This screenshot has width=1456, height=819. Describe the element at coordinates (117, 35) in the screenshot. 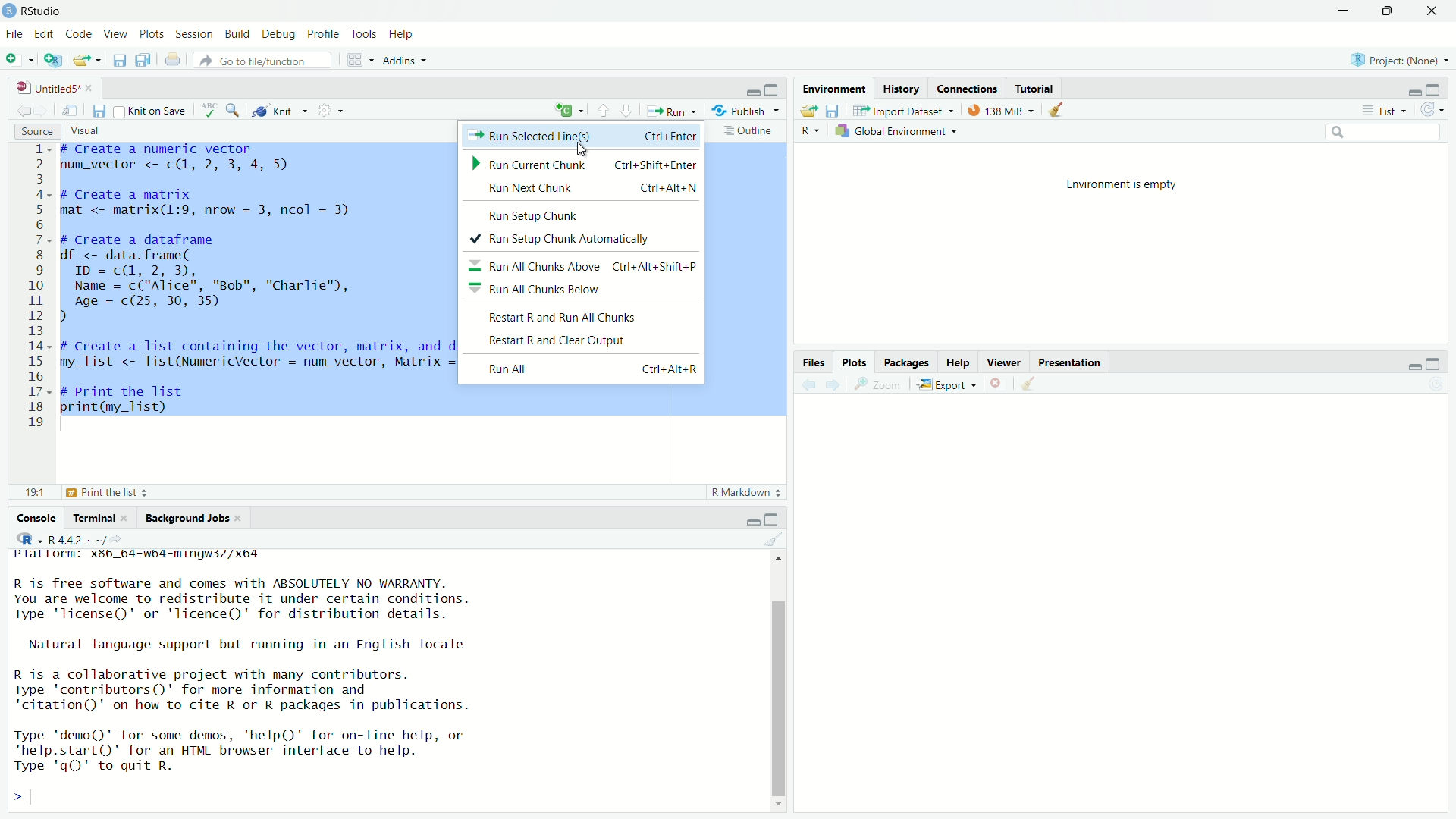

I see `View` at that location.